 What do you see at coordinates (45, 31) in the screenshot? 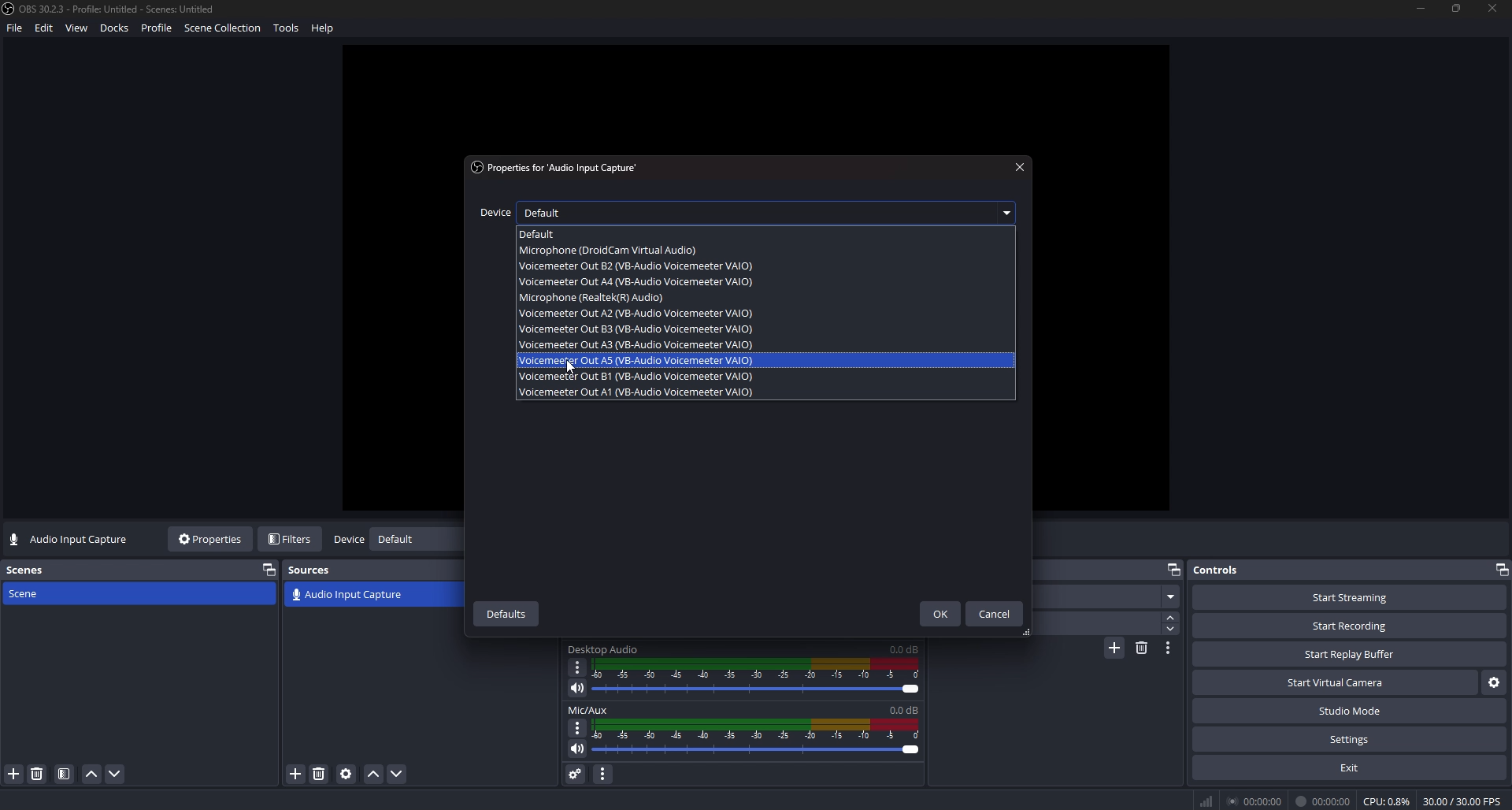
I see `Edit` at bounding box center [45, 31].